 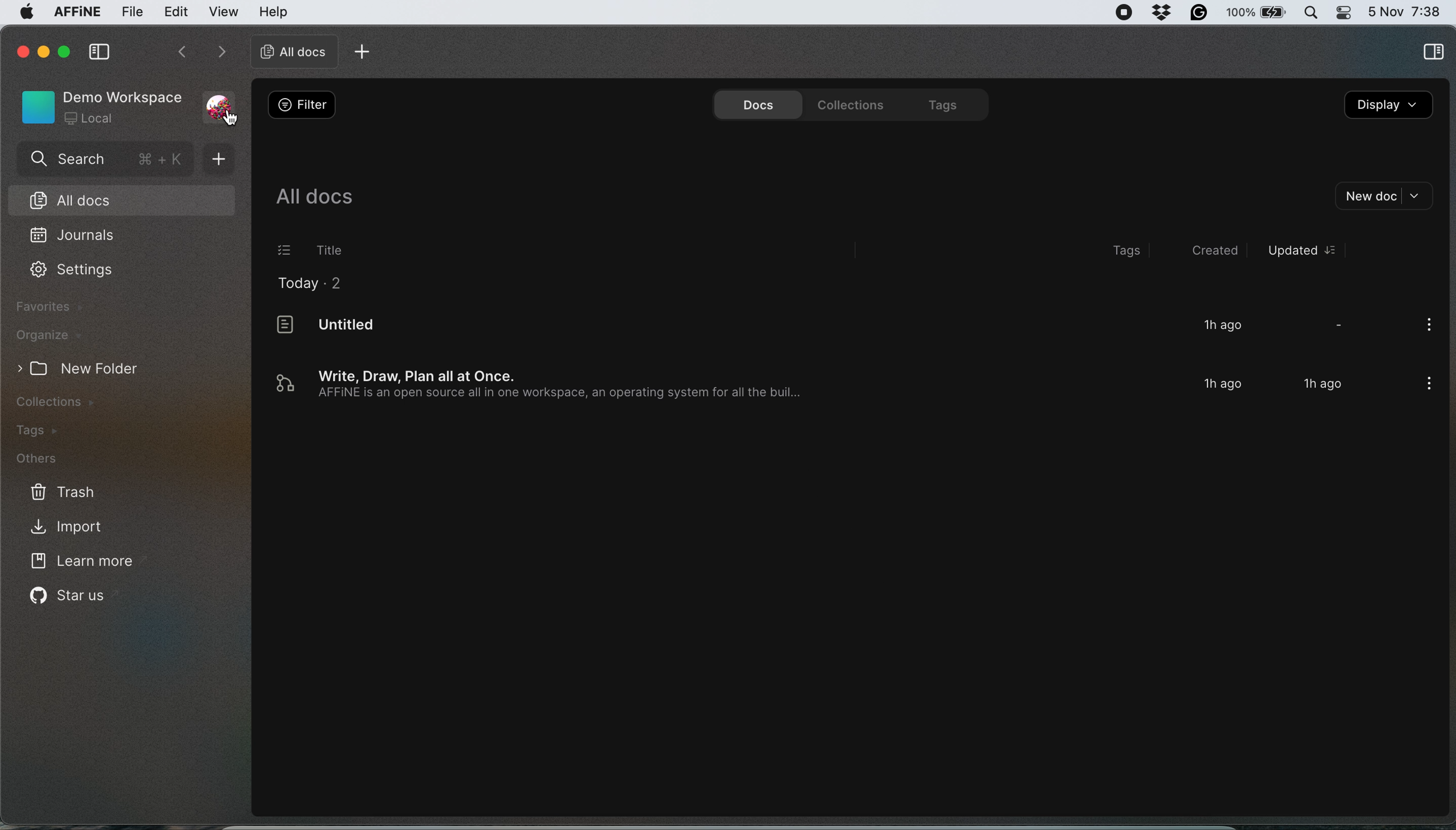 I want to click on others, so click(x=51, y=460).